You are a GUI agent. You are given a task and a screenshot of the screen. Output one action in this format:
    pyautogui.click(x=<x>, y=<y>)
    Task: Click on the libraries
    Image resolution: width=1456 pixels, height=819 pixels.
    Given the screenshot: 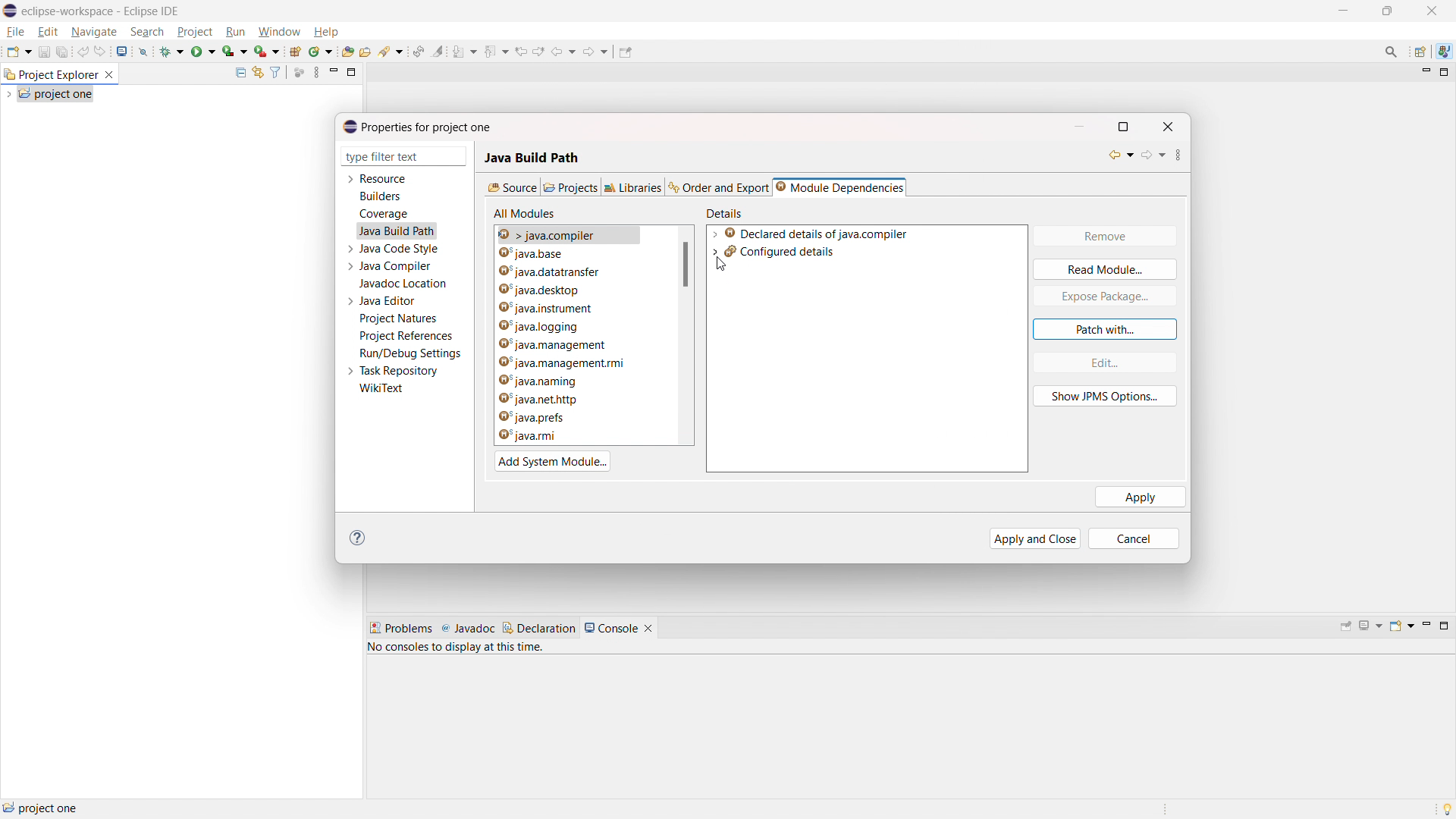 What is the action you would take?
    pyautogui.click(x=634, y=187)
    